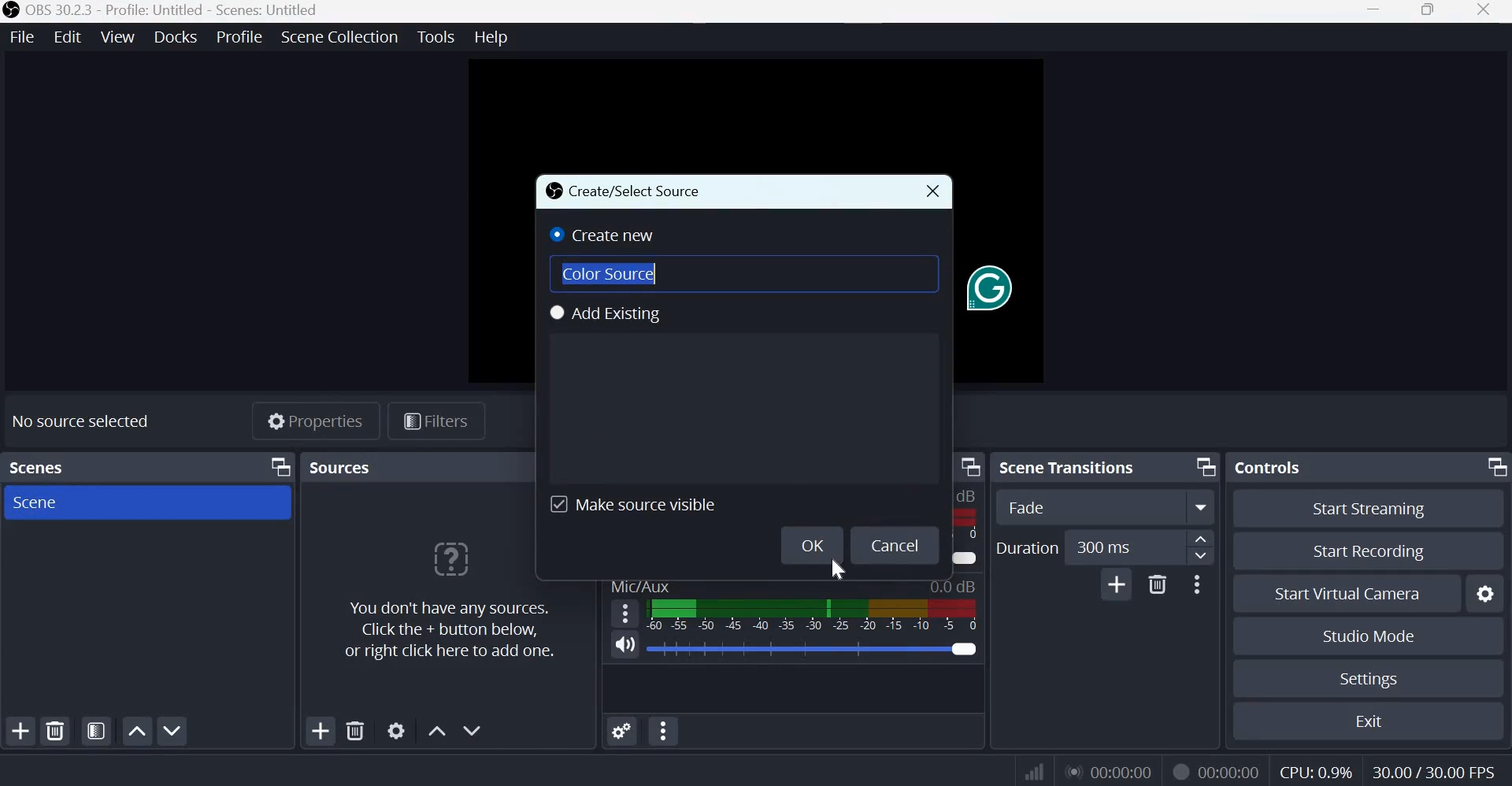 This screenshot has width=1512, height=786. Describe the element at coordinates (40, 465) in the screenshot. I see `scenes` at that location.